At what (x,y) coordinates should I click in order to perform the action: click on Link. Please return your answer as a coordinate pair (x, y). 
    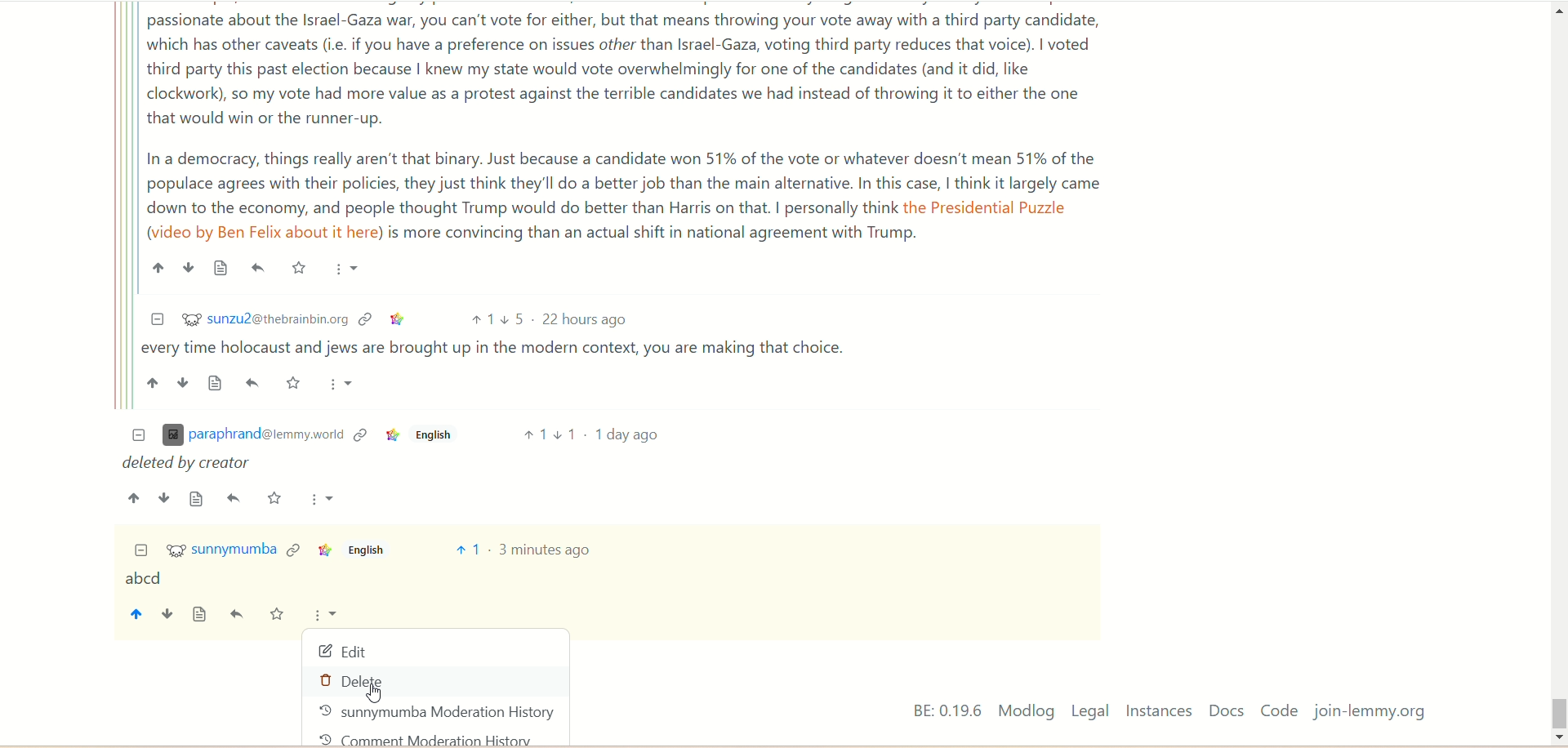
    Looking at the image, I should click on (399, 320).